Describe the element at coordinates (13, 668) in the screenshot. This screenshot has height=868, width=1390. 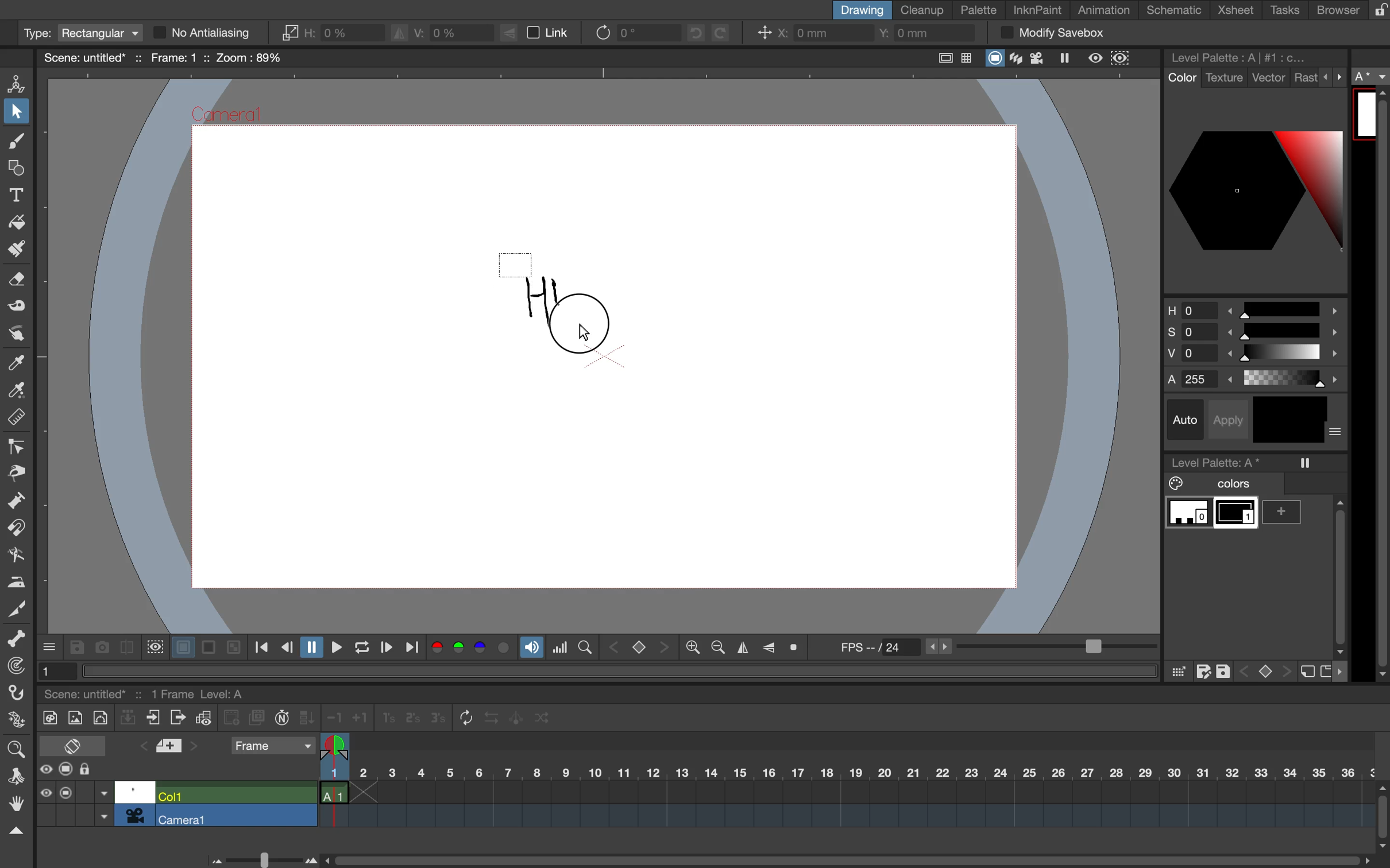
I see `tracker tool` at that location.